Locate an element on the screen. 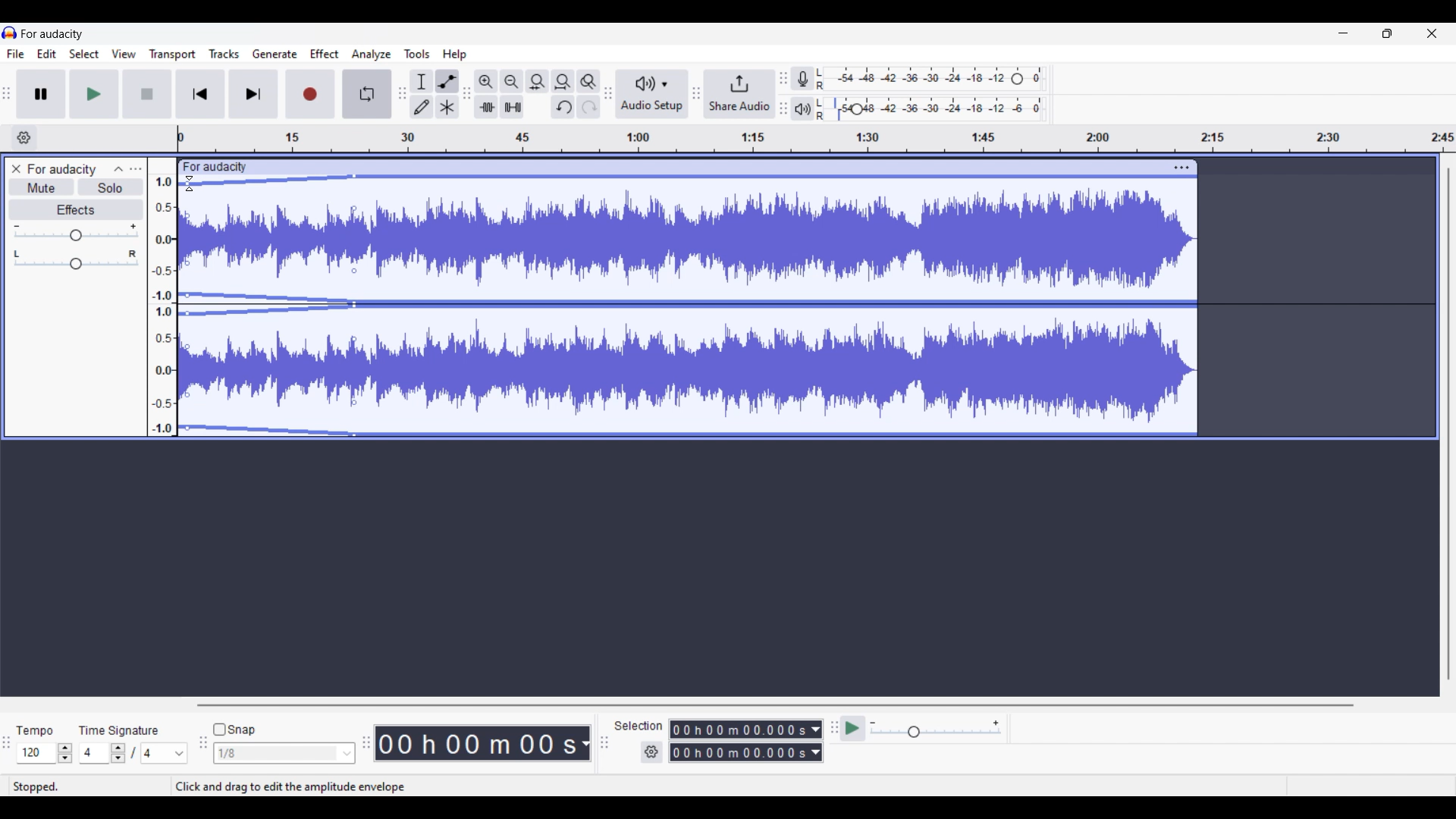  Edit is located at coordinates (47, 53).